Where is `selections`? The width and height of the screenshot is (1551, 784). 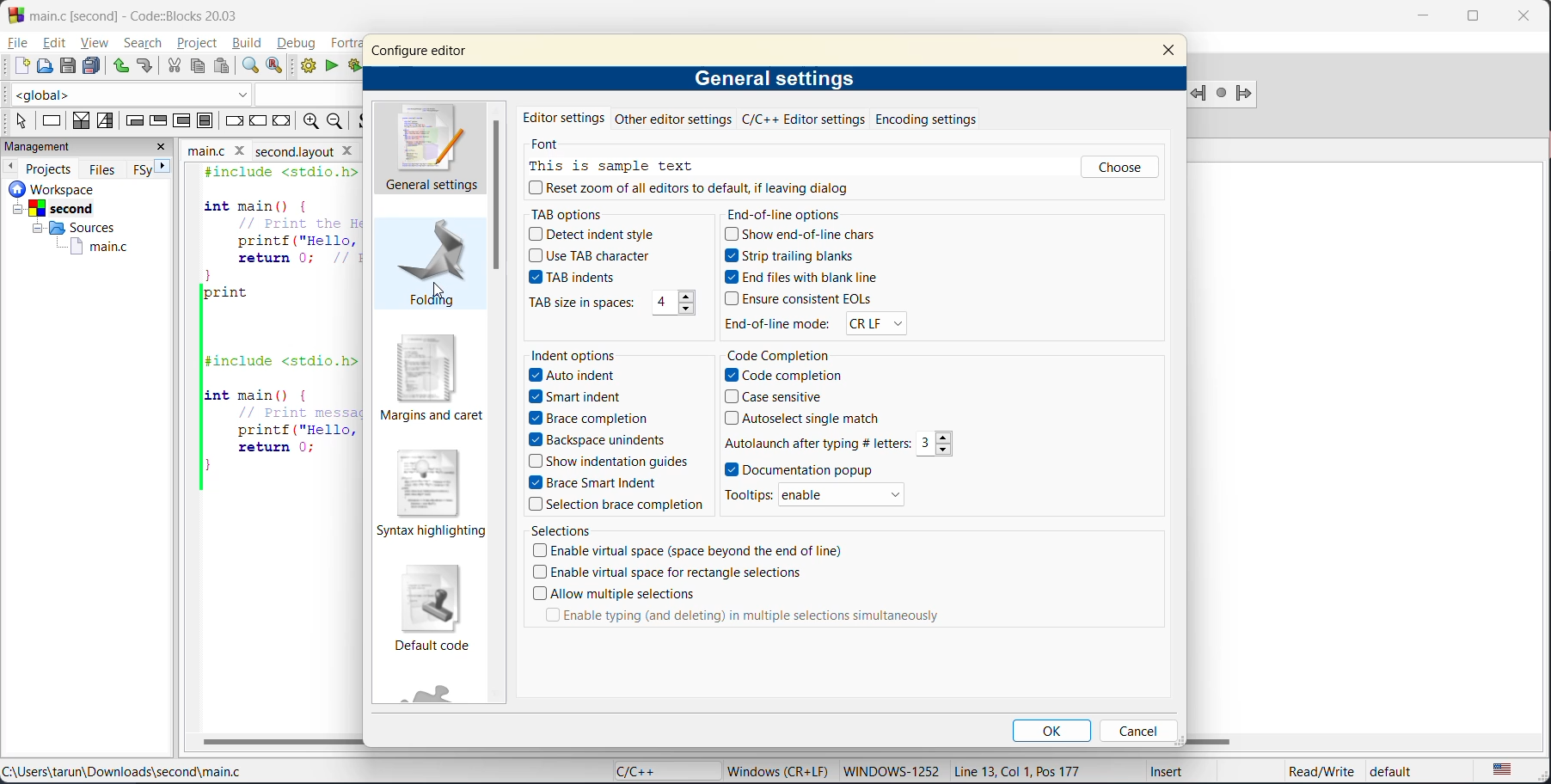 selections is located at coordinates (746, 530).